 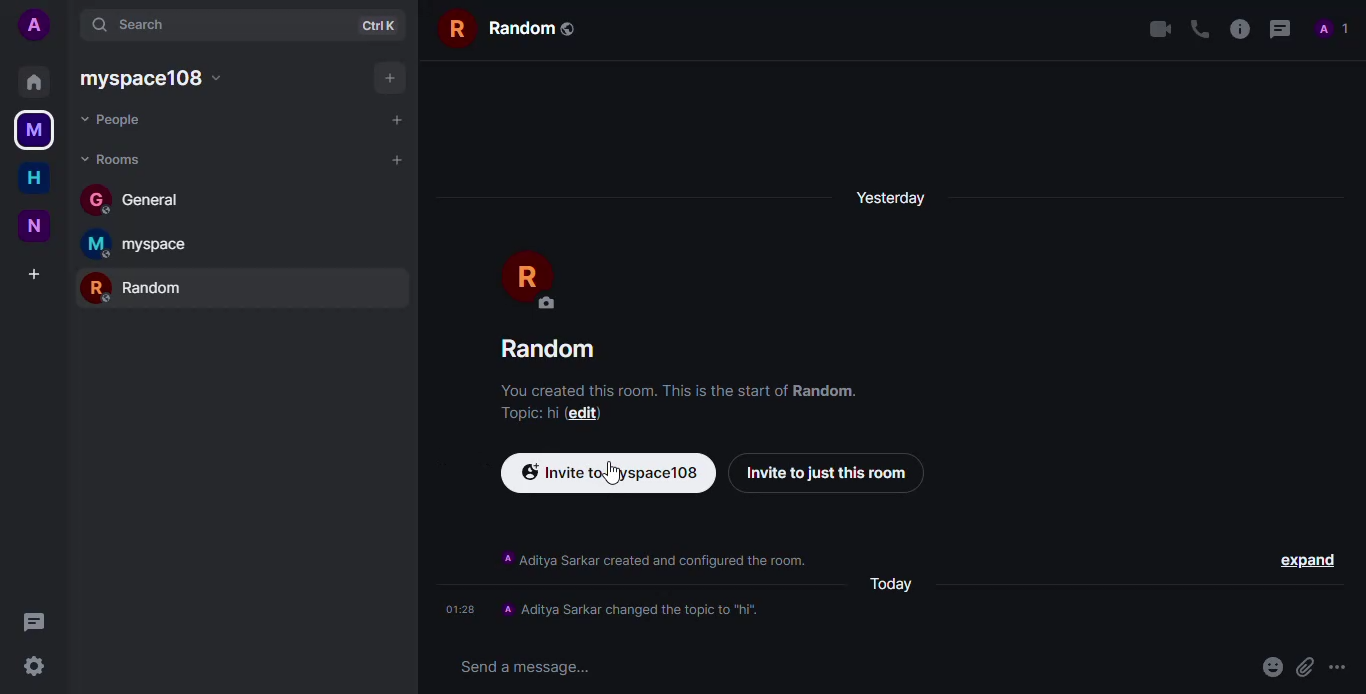 What do you see at coordinates (459, 610) in the screenshot?
I see `01:28` at bounding box center [459, 610].